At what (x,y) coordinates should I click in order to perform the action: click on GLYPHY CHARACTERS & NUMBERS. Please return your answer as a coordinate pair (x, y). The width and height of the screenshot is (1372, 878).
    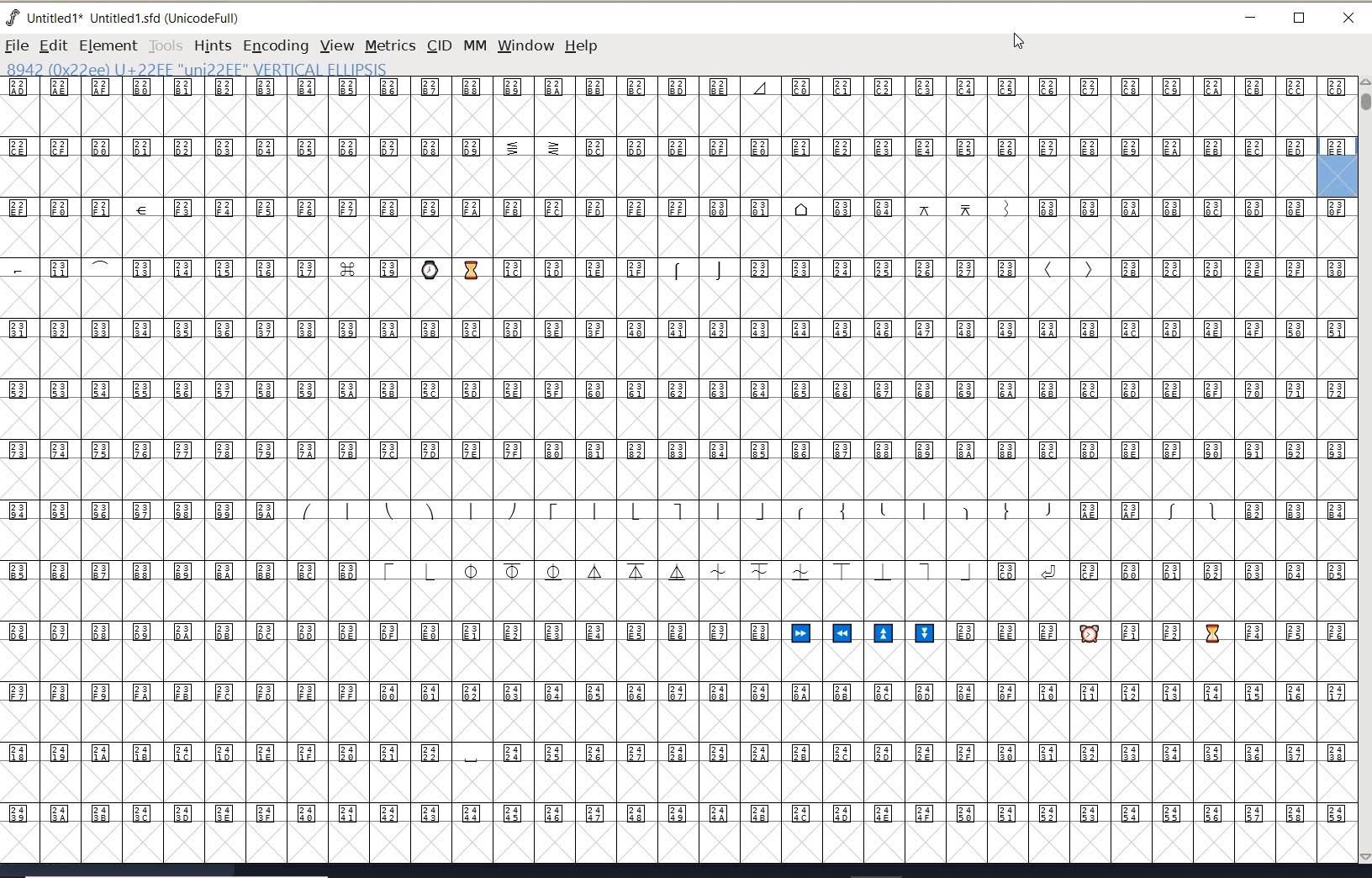
    Looking at the image, I should click on (656, 468).